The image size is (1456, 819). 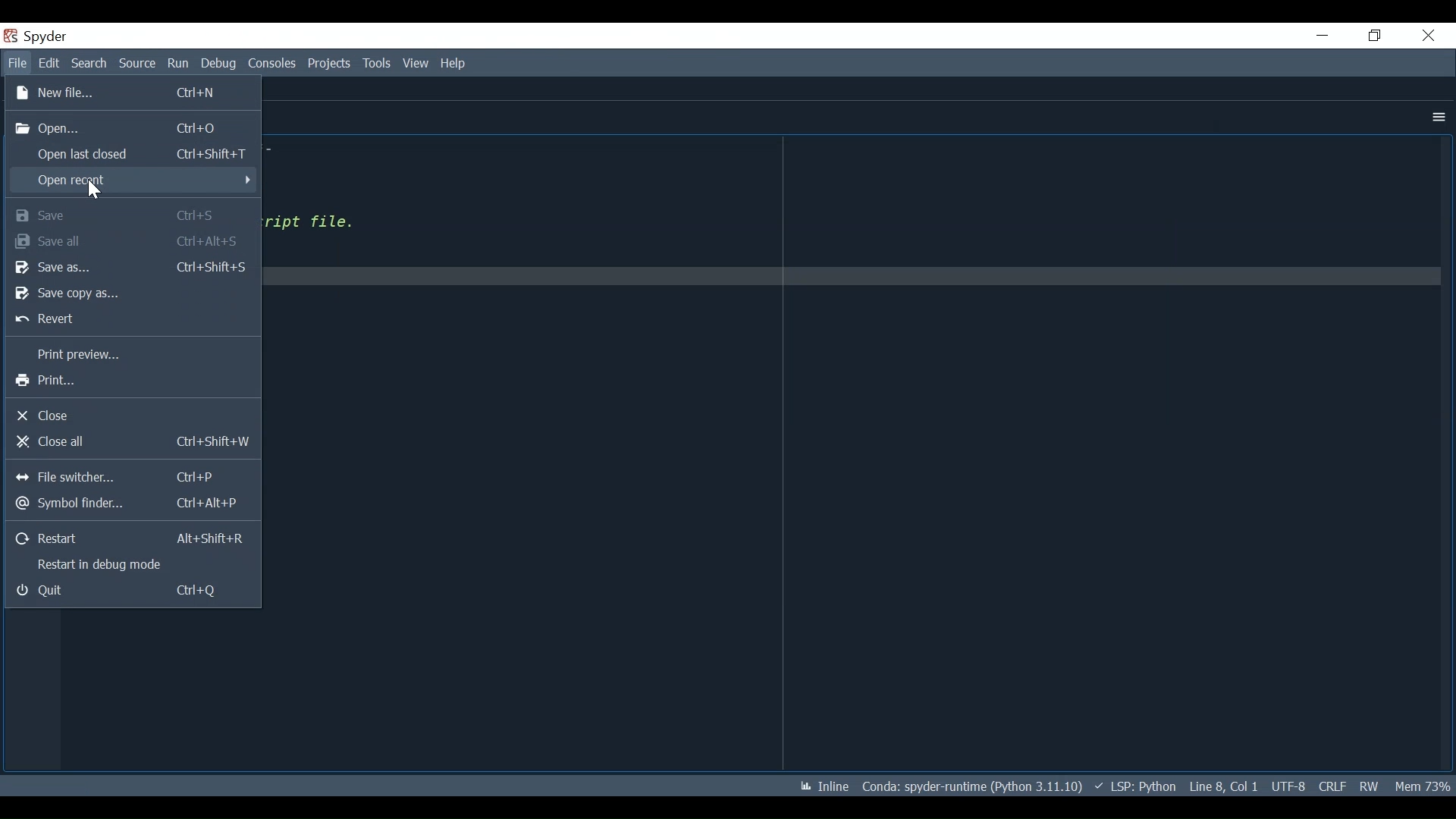 What do you see at coordinates (133, 479) in the screenshot?
I see `File switcher` at bounding box center [133, 479].